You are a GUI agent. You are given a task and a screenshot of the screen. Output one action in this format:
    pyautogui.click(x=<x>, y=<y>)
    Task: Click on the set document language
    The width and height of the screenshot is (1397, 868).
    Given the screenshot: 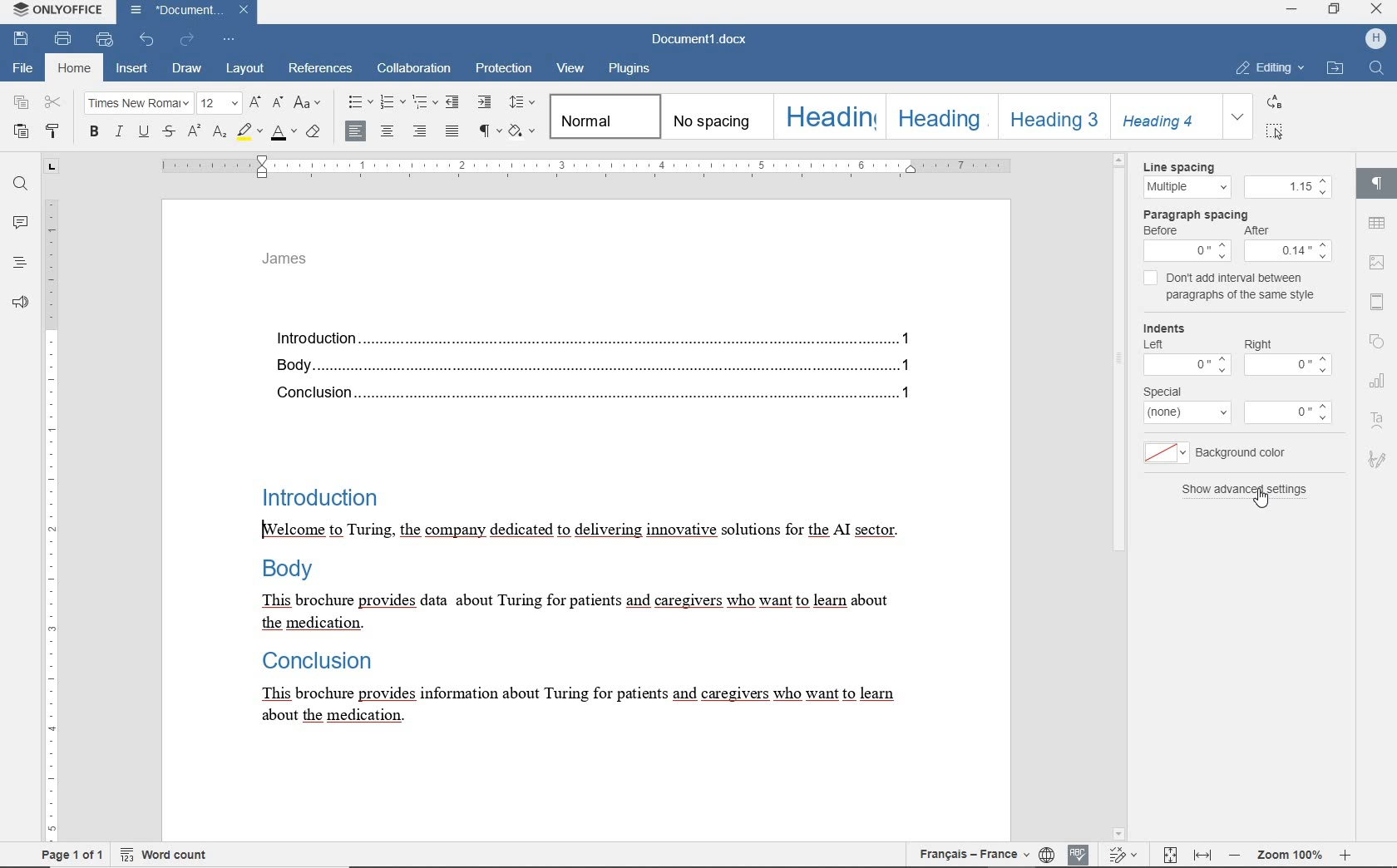 What is the action you would take?
    pyautogui.click(x=1048, y=856)
    